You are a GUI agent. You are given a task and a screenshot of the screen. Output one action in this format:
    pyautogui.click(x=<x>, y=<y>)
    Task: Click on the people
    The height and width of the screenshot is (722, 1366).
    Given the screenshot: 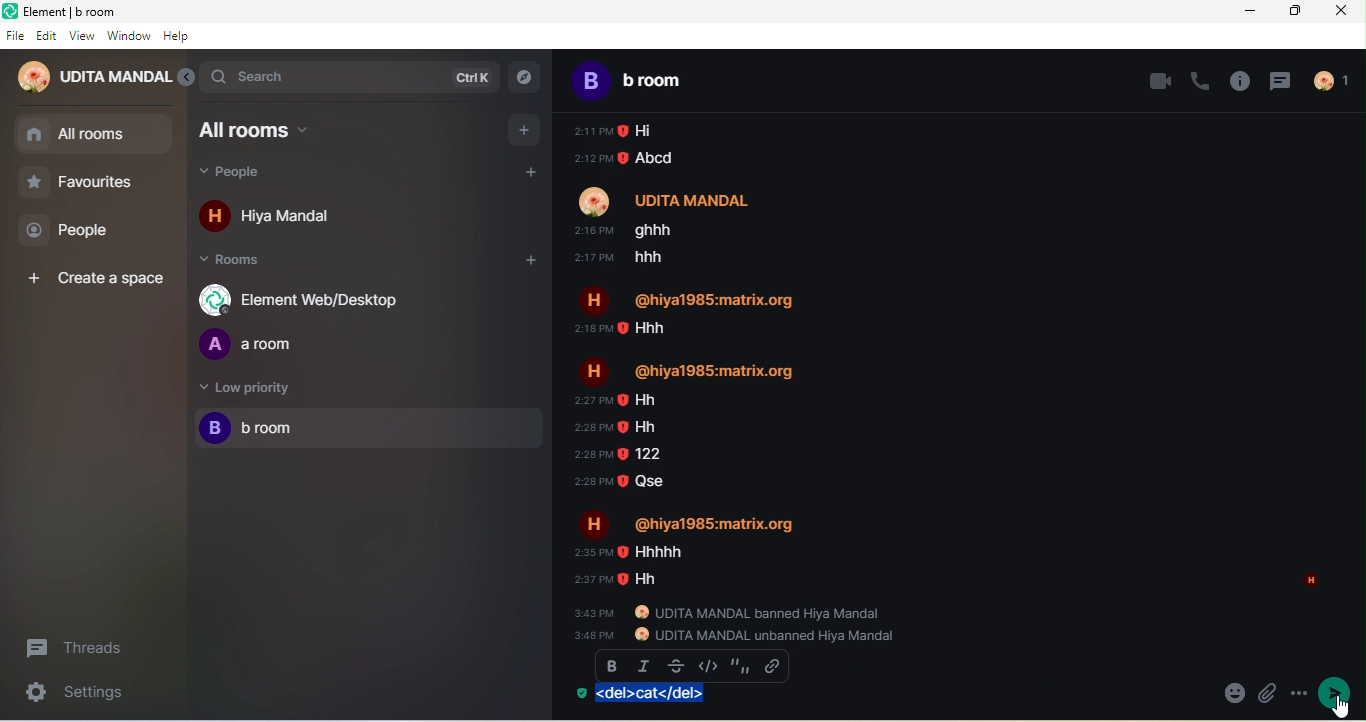 What is the action you would take?
    pyautogui.click(x=78, y=231)
    